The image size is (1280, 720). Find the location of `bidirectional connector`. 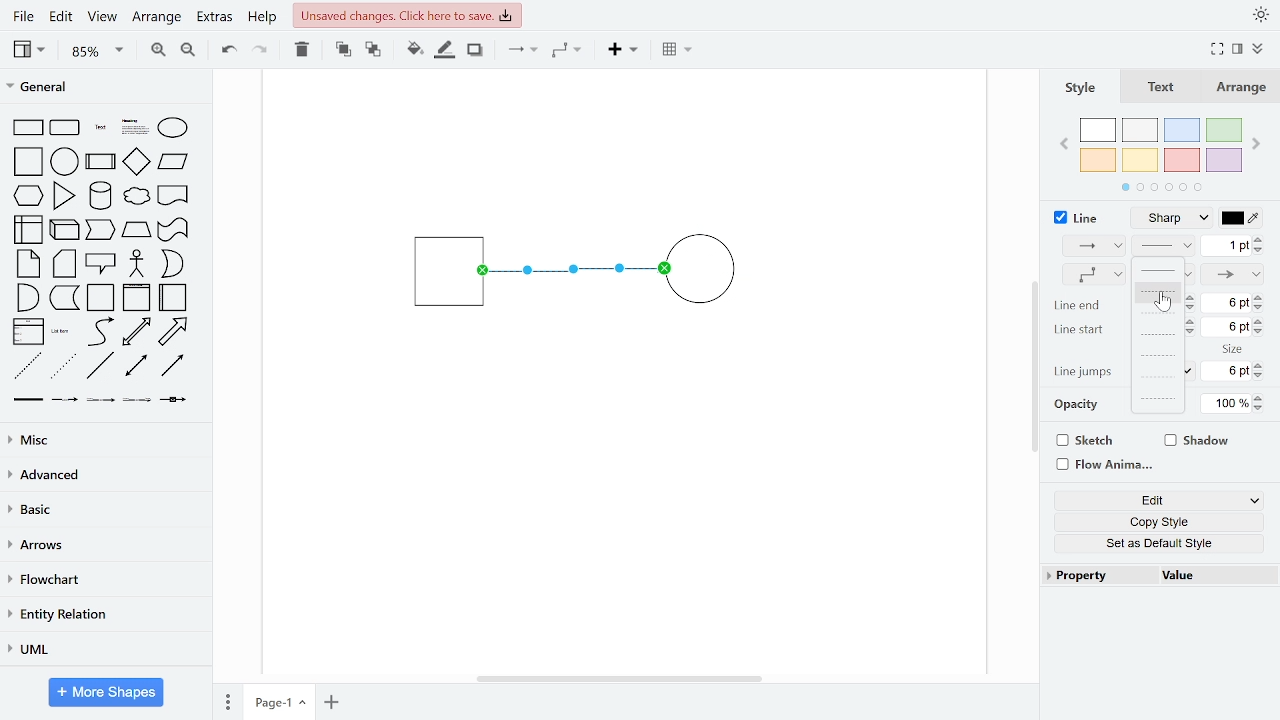

bidirectional connector is located at coordinates (138, 366).